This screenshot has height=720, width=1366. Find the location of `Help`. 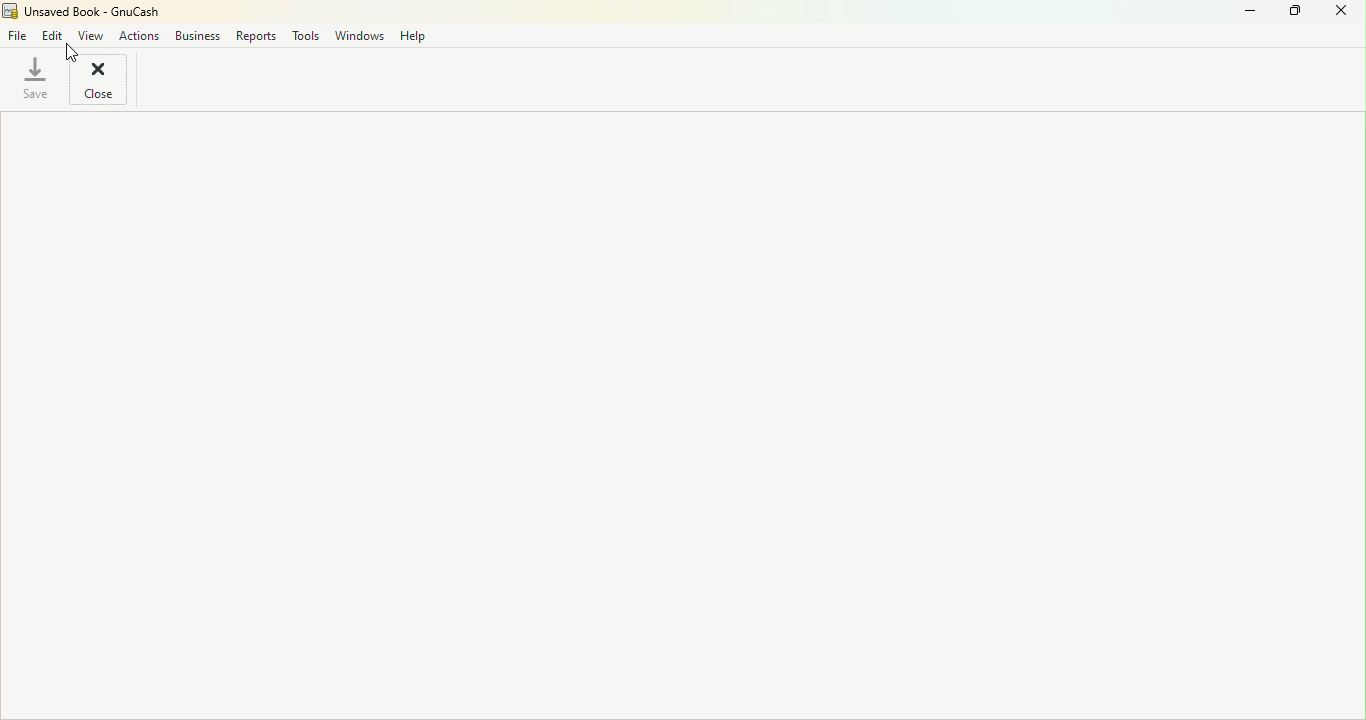

Help is located at coordinates (415, 35).